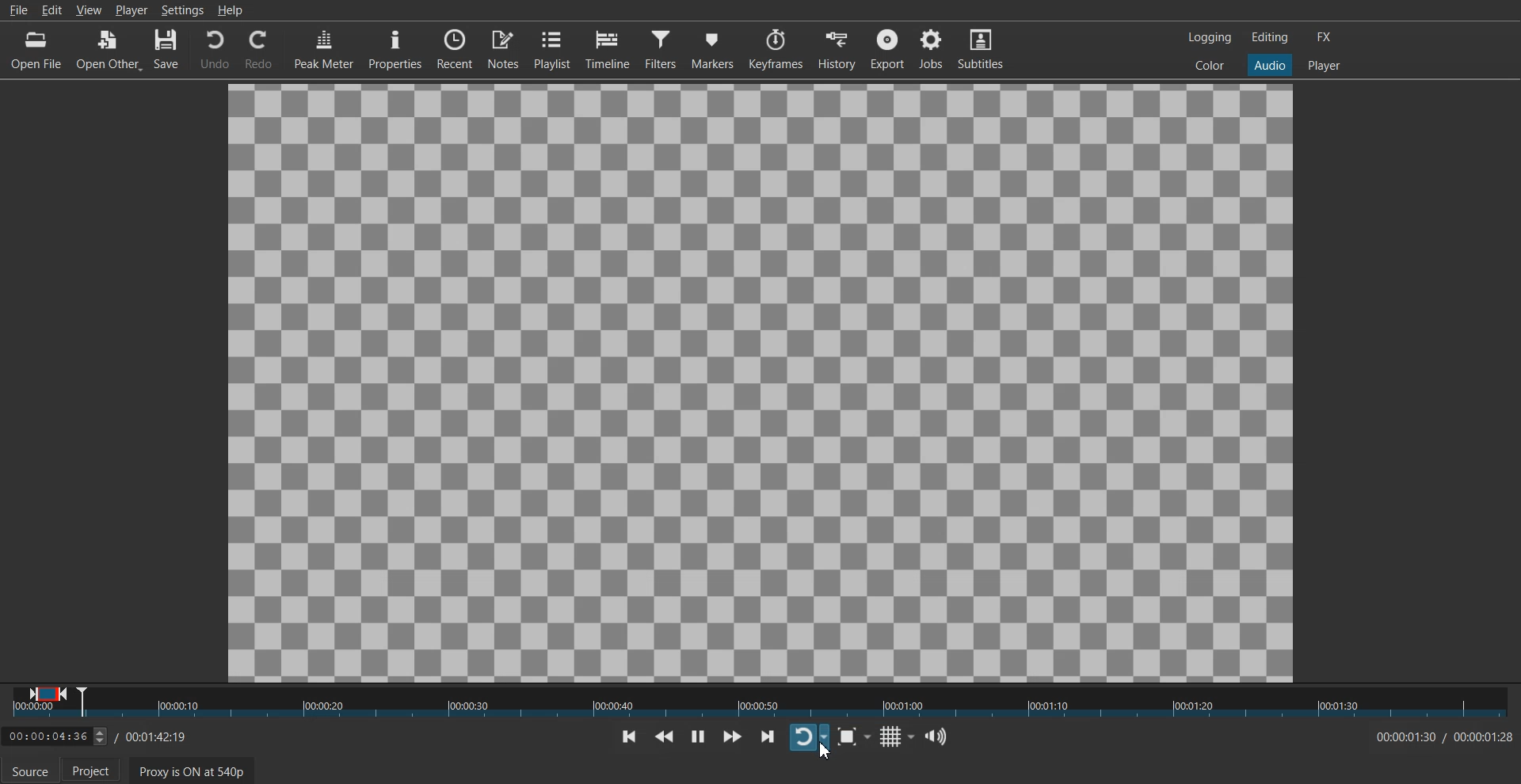 The width and height of the screenshot is (1521, 784). I want to click on Notes, so click(503, 50).